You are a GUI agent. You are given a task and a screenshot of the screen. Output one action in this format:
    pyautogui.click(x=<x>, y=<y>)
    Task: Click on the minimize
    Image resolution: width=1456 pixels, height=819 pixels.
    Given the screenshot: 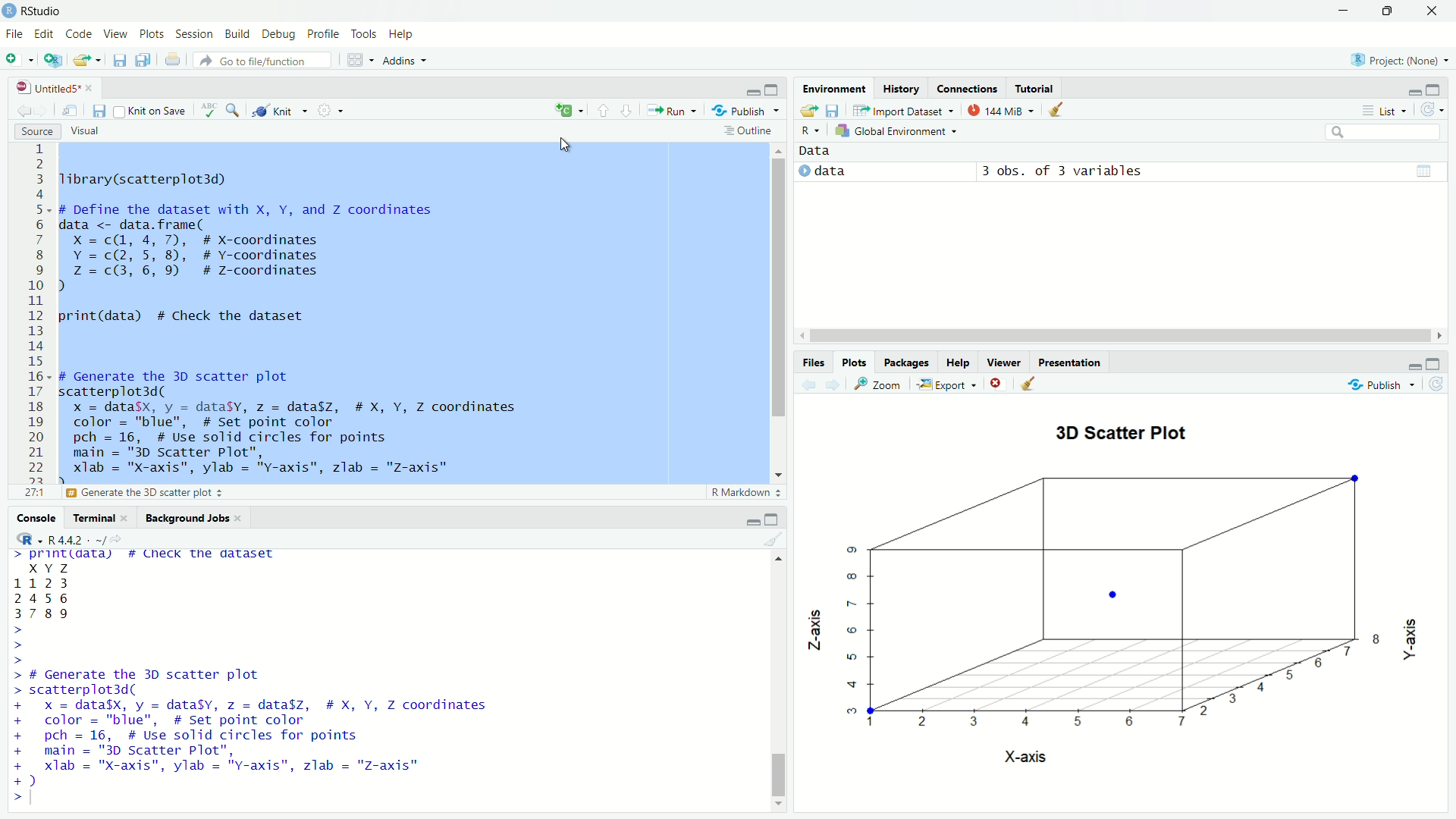 What is the action you would take?
    pyautogui.click(x=1341, y=11)
    